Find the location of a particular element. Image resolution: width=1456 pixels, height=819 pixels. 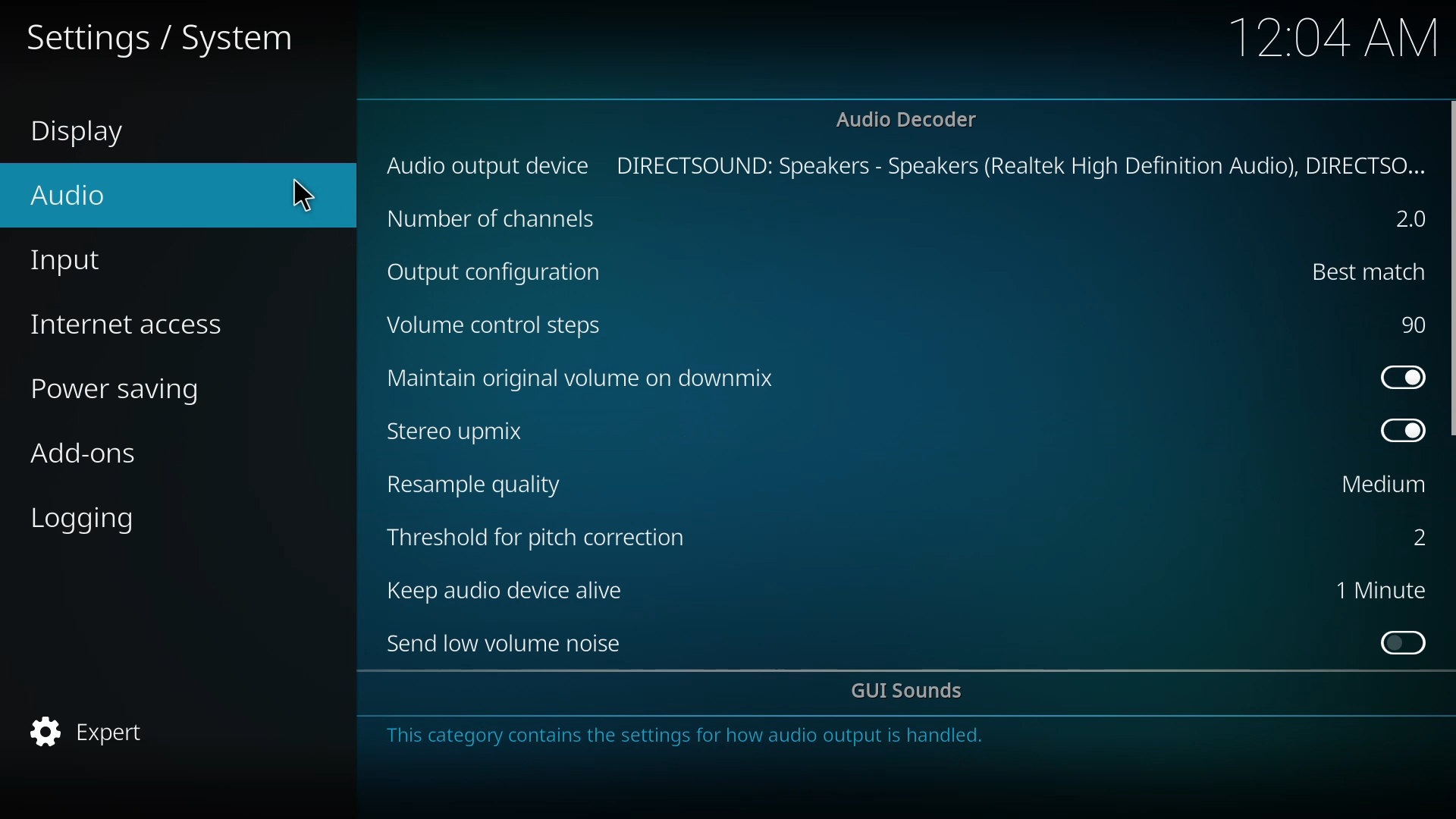

1 is located at coordinates (1379, 590).